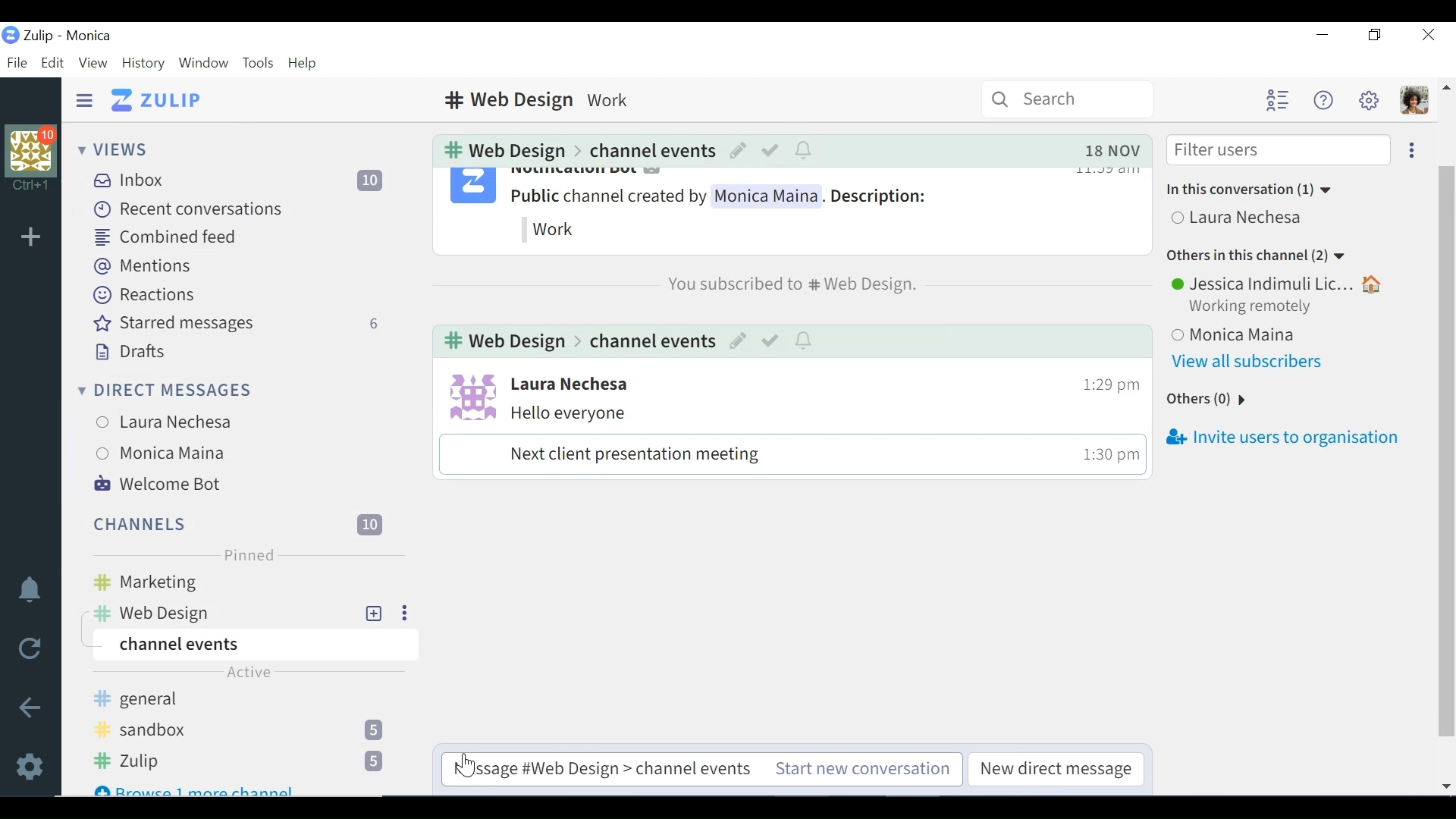 The width and height of the screenshot is (1456, 819). What do you see at coordinates (248, 762) in the screenshot?
I see `Zulip channel` at bounding box center [248, 762].